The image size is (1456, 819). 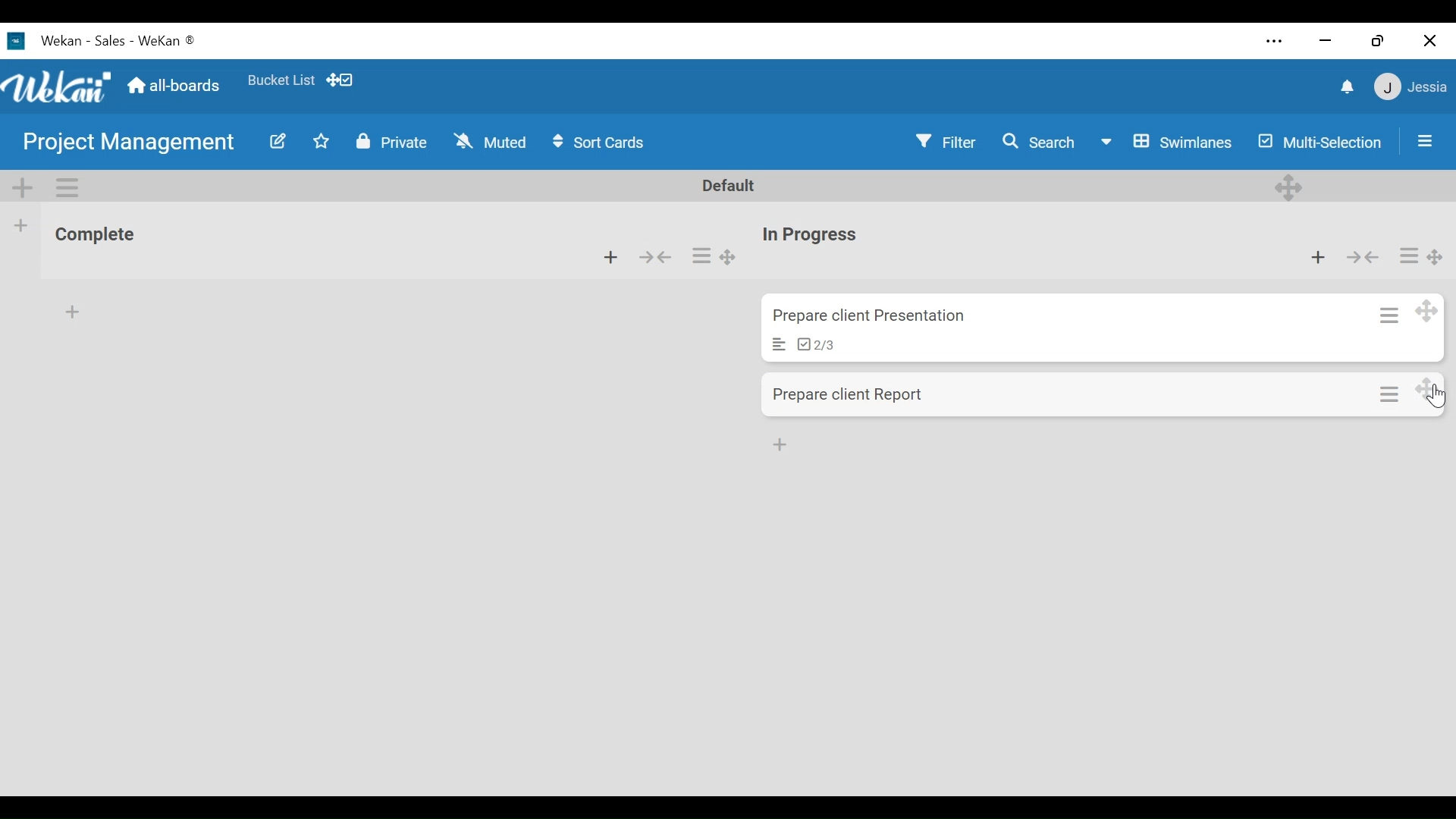 I want to click on Add card to top list , so click(x=1318, y=259).